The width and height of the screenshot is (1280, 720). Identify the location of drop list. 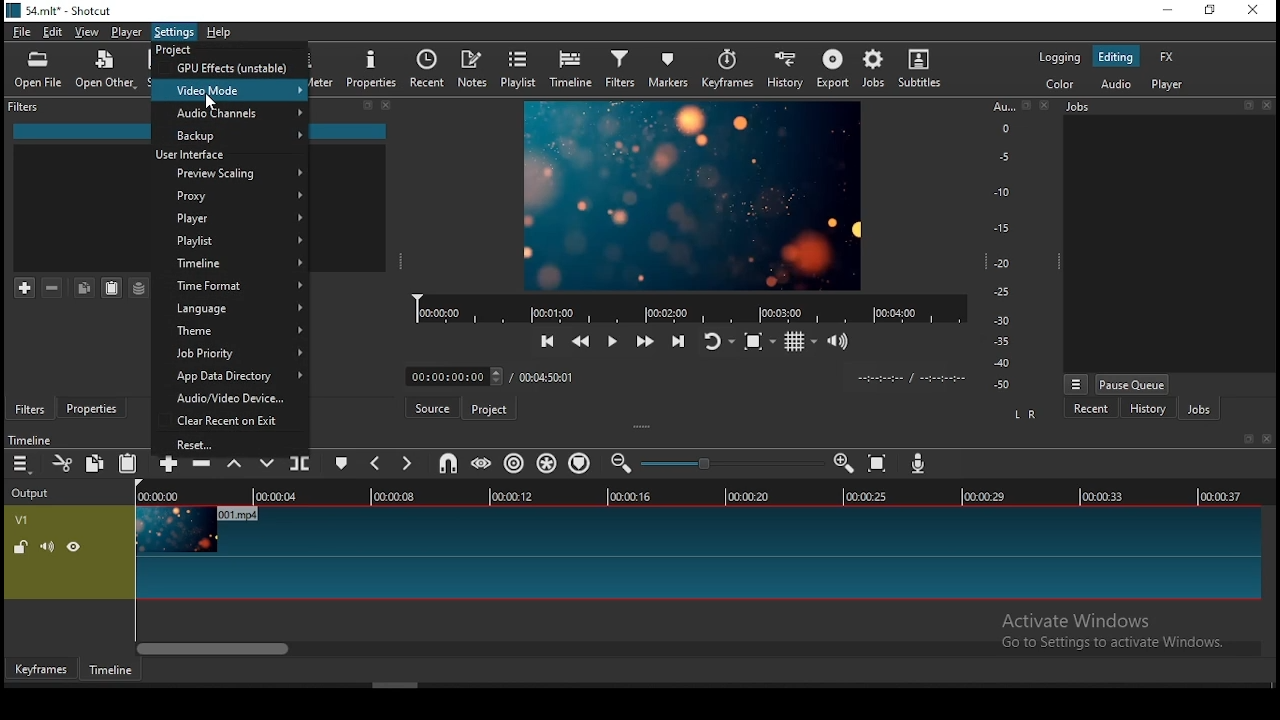
(450, 377).